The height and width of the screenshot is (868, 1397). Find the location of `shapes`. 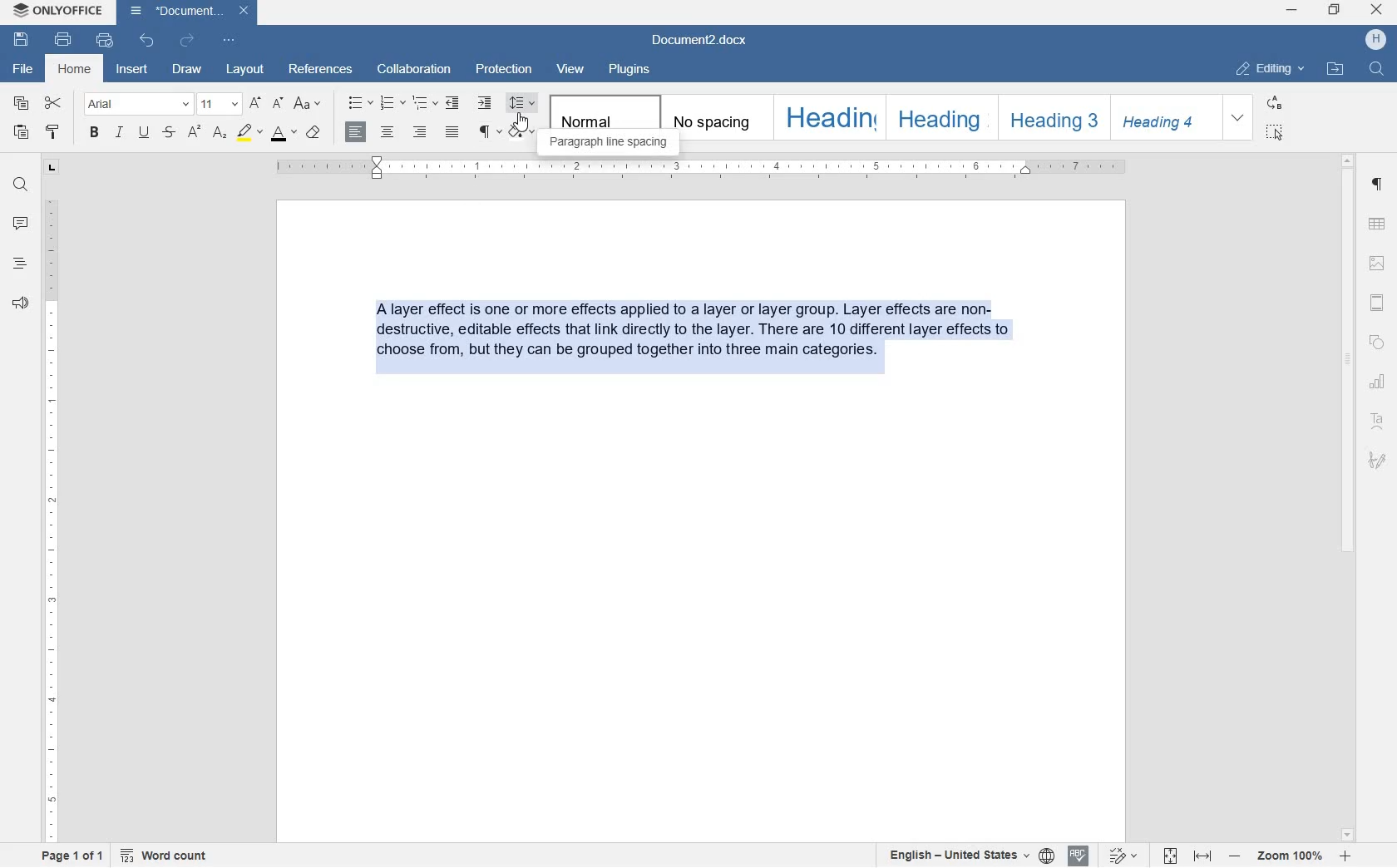

shapes is located at coordinates (1377, 340).